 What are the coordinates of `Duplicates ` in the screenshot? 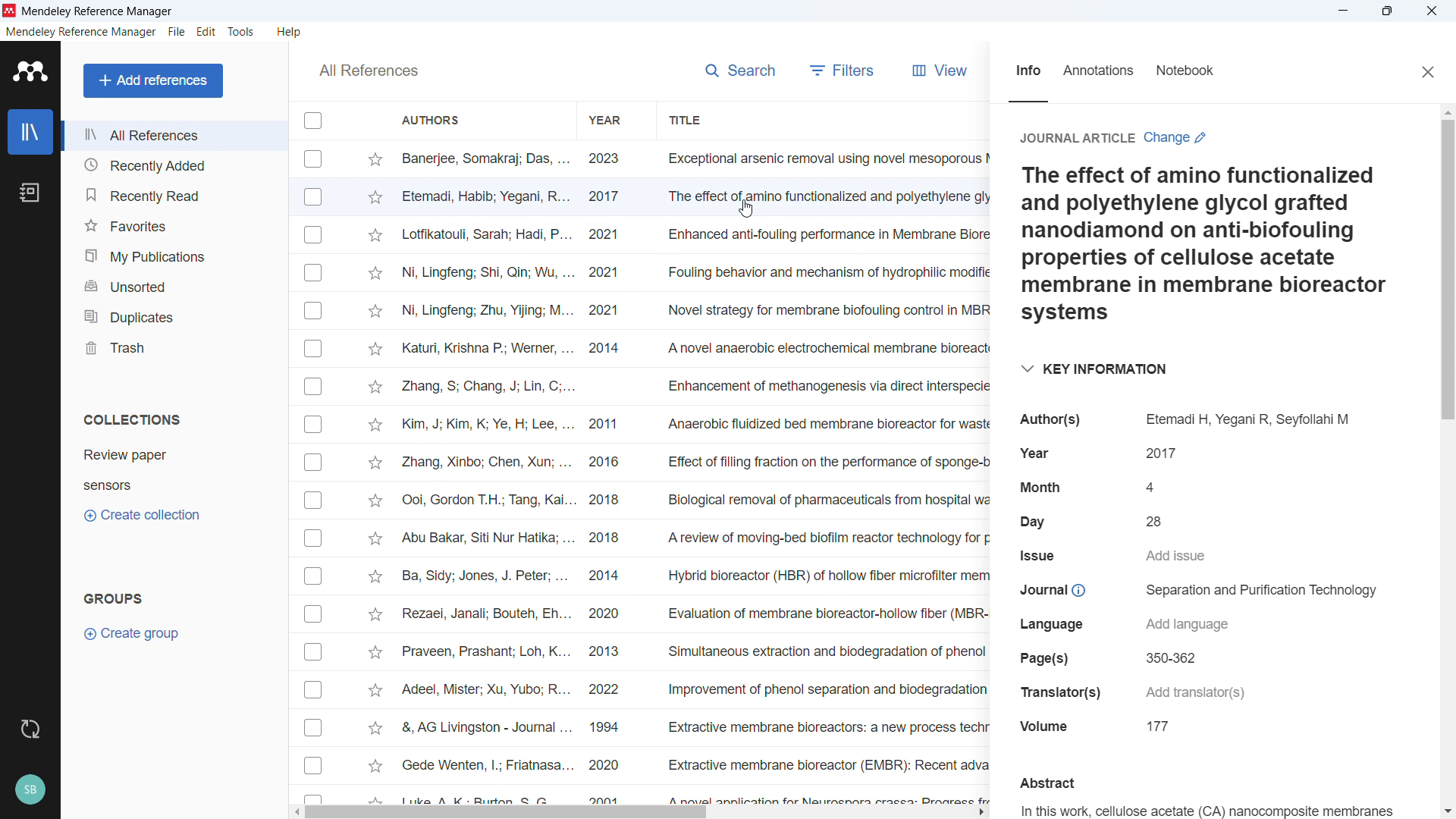 It's located at (172, 313).